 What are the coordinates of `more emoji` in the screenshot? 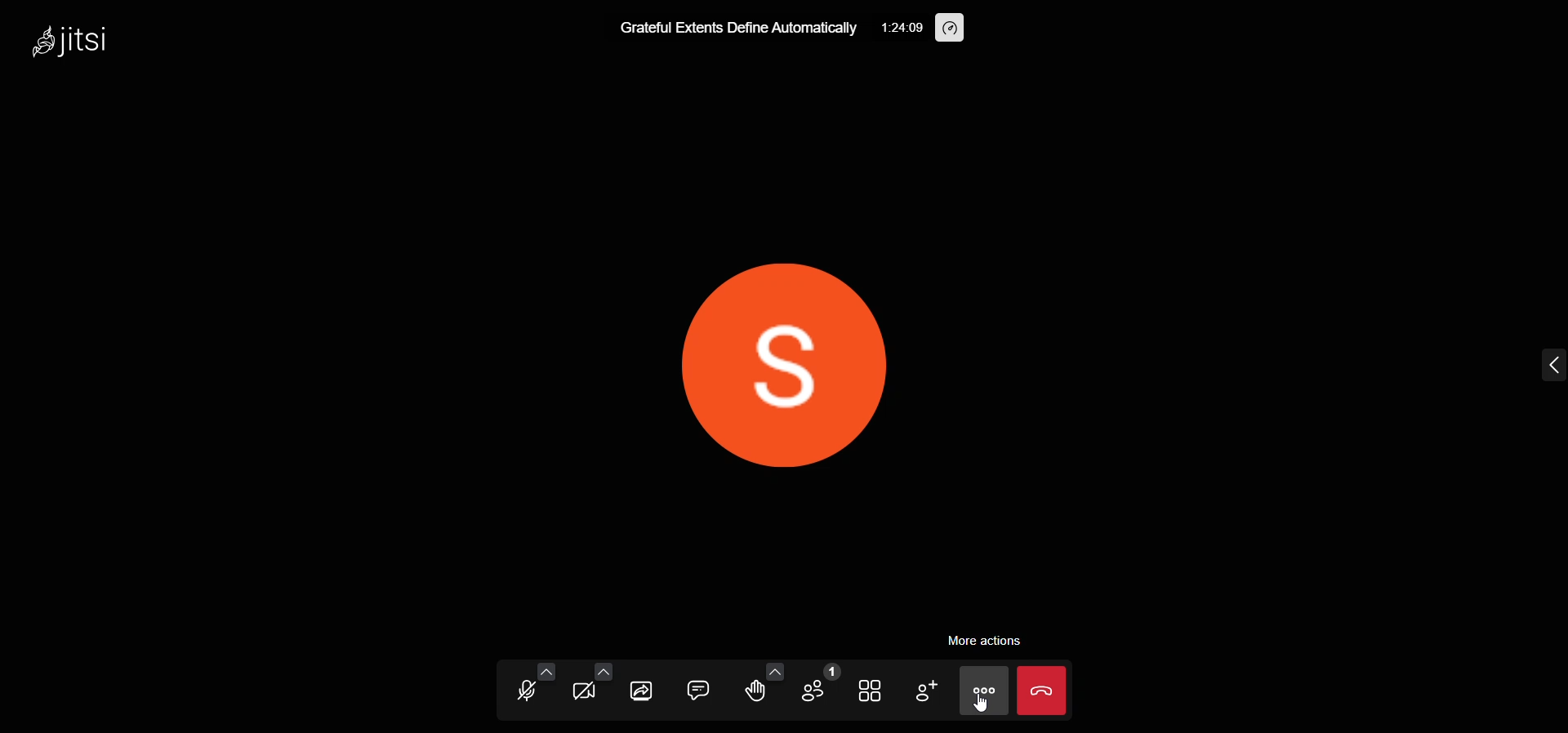 It's located at (775, 668).